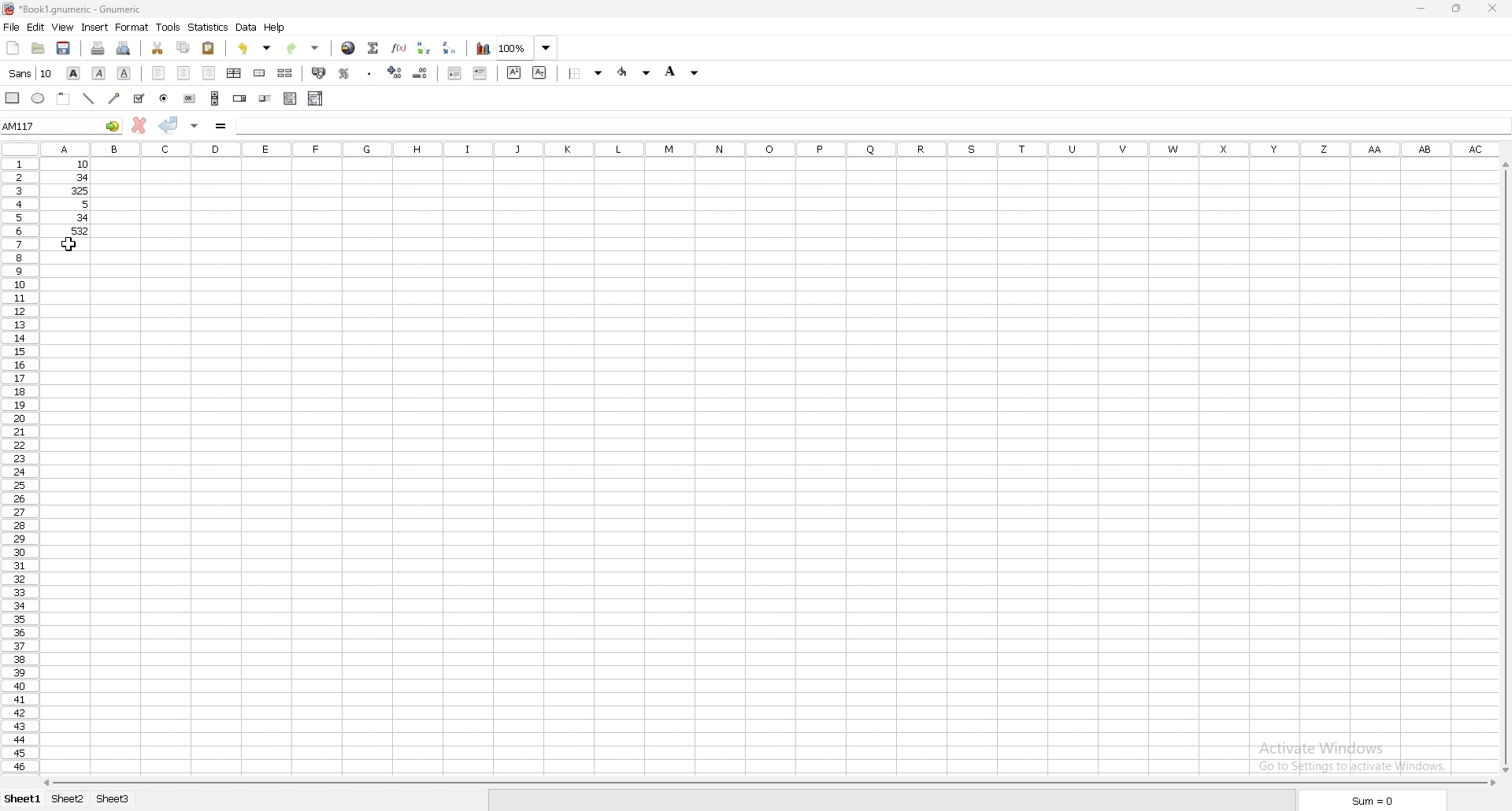  I want to click on ellipse, so click(38, 97).